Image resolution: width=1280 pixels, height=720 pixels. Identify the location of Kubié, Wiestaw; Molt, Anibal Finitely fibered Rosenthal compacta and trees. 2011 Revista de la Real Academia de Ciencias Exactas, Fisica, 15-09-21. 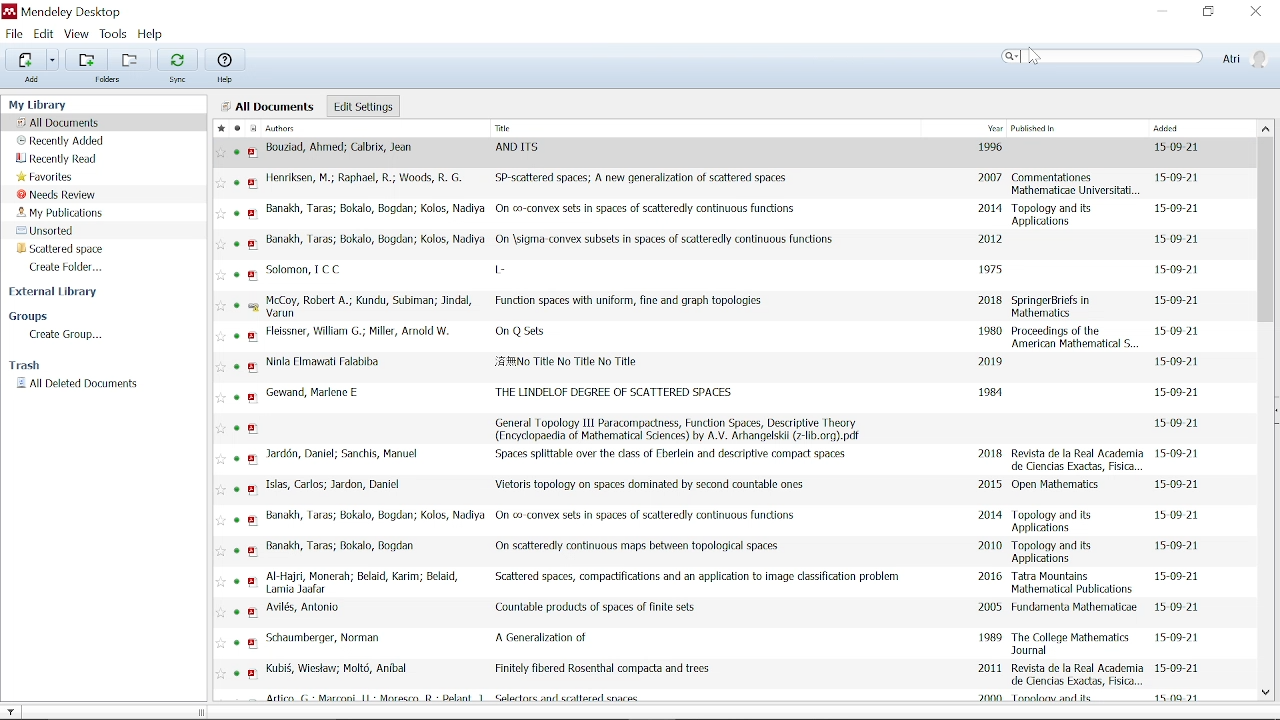
(728, 674).